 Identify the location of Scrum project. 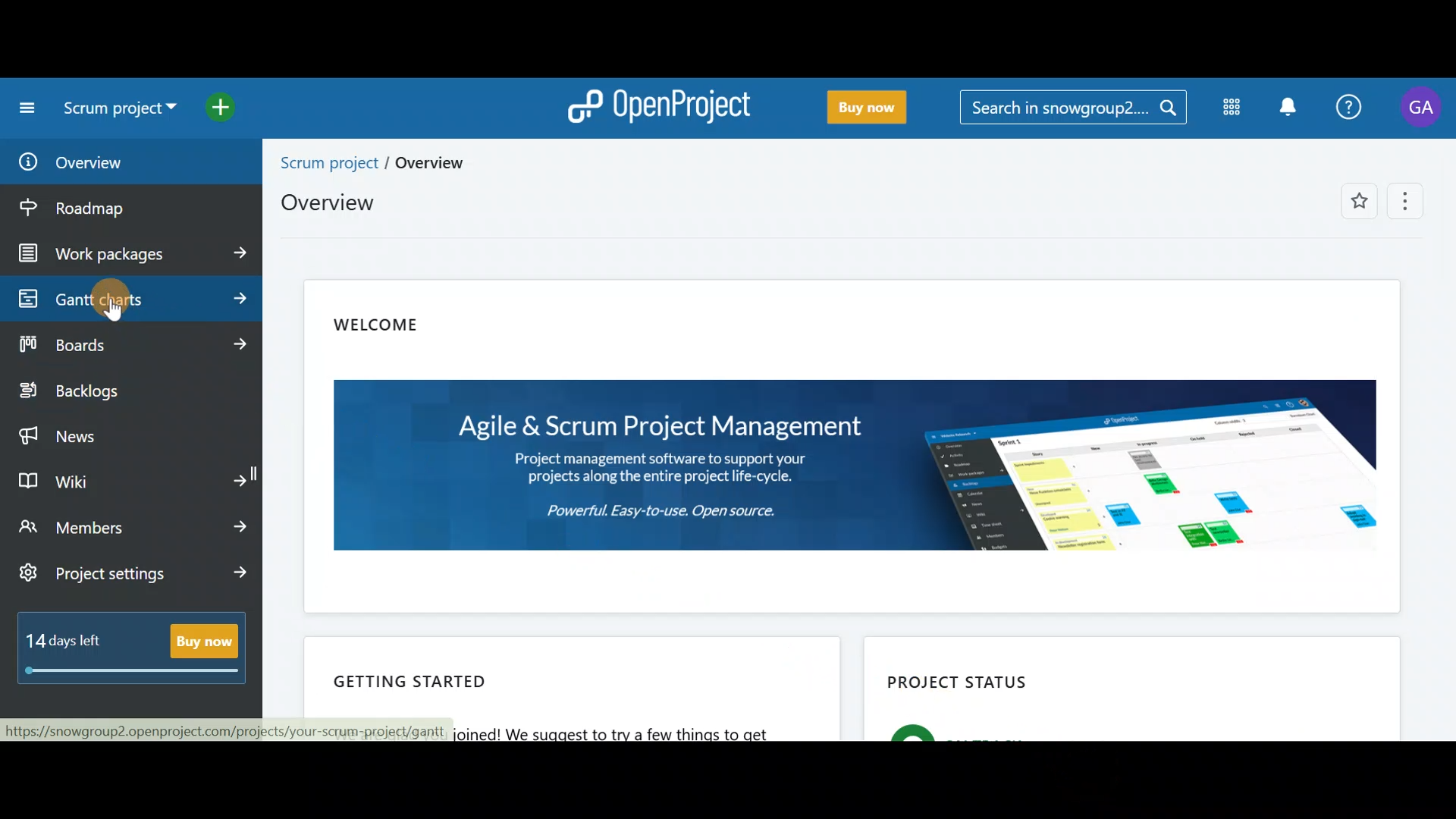
(324, 161).